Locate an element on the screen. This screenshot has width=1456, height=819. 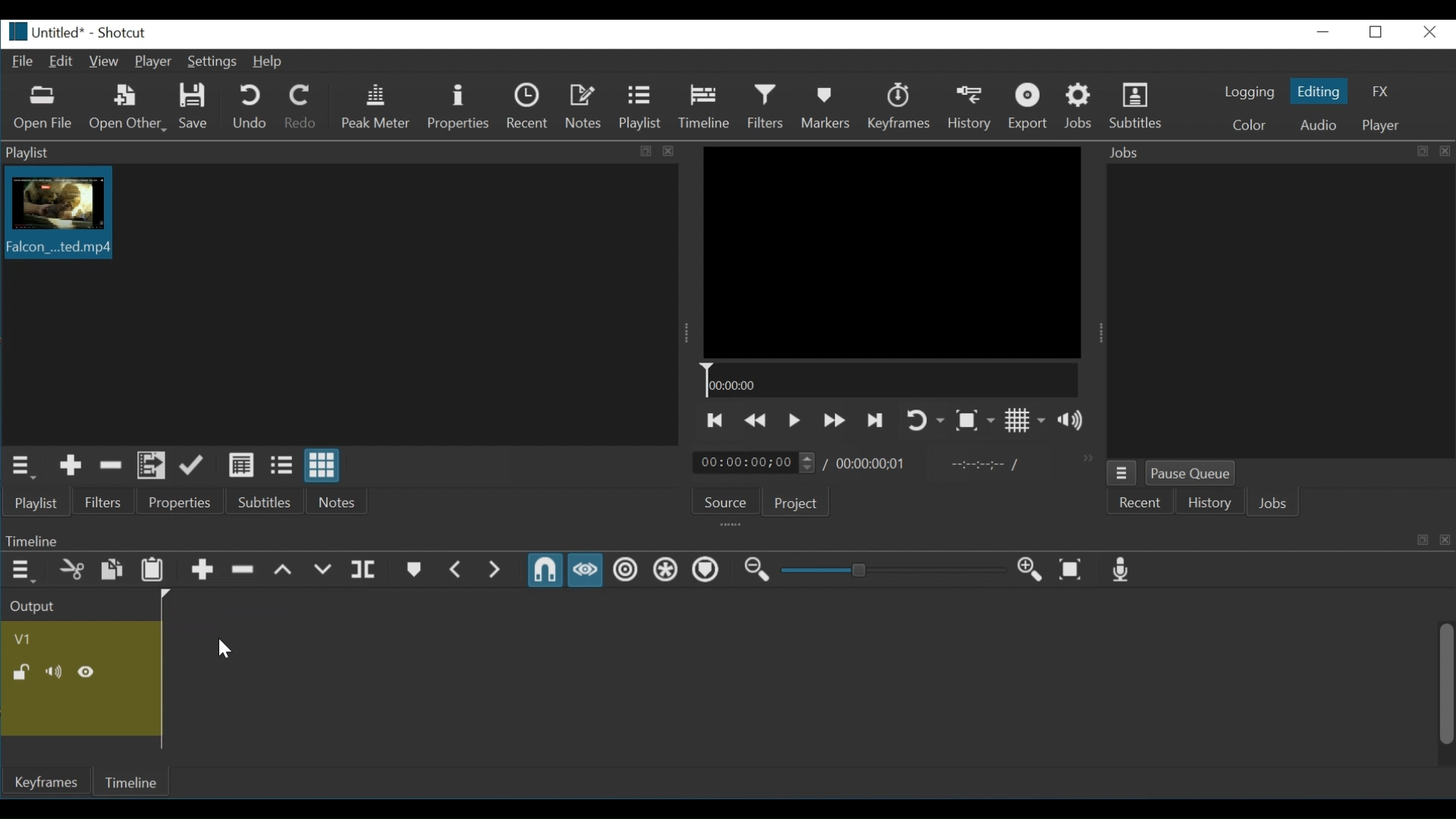
Play quickly forward is located at coordinates (835, 419).